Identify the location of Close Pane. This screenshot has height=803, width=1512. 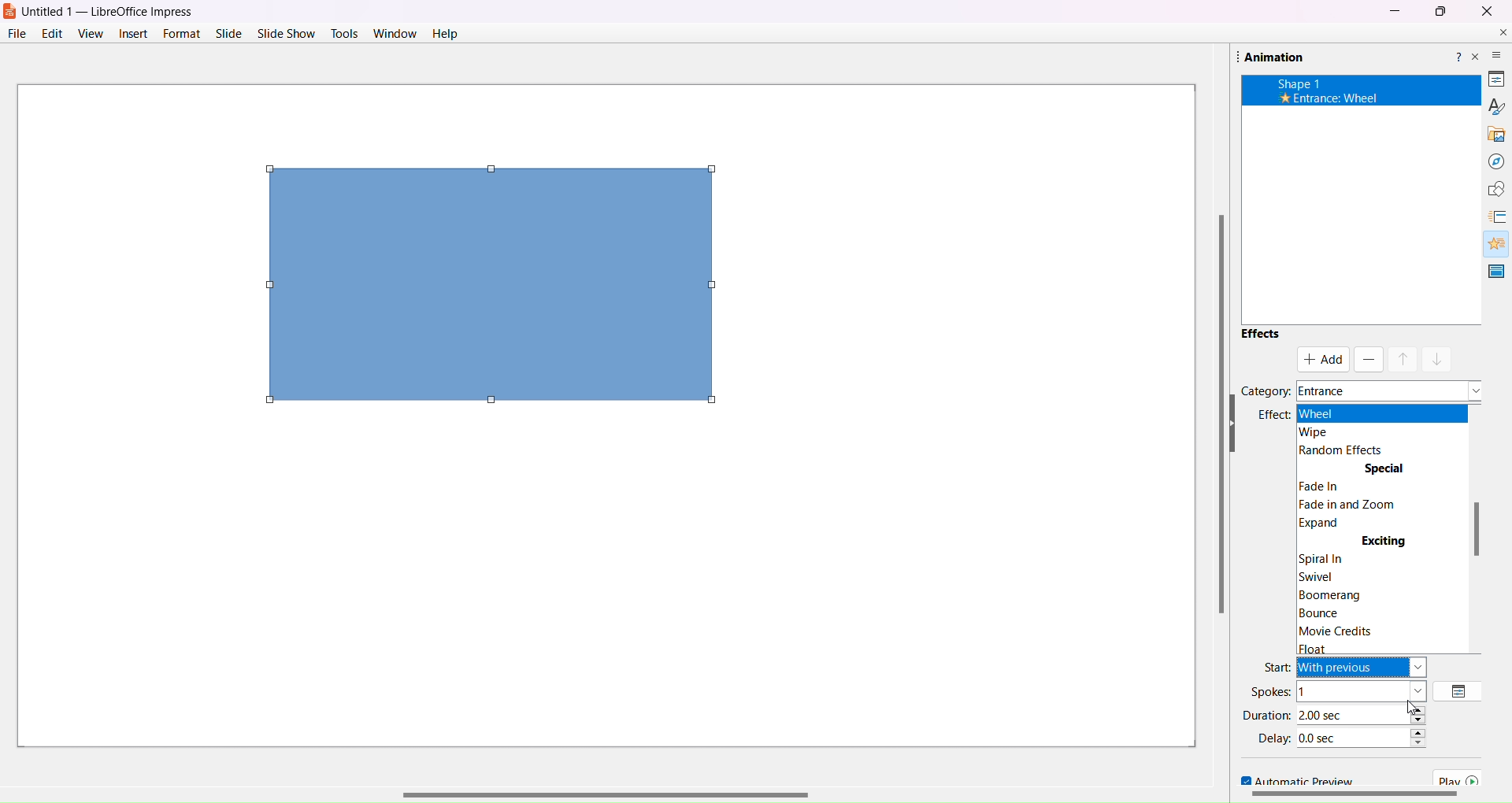
(1476, 57).